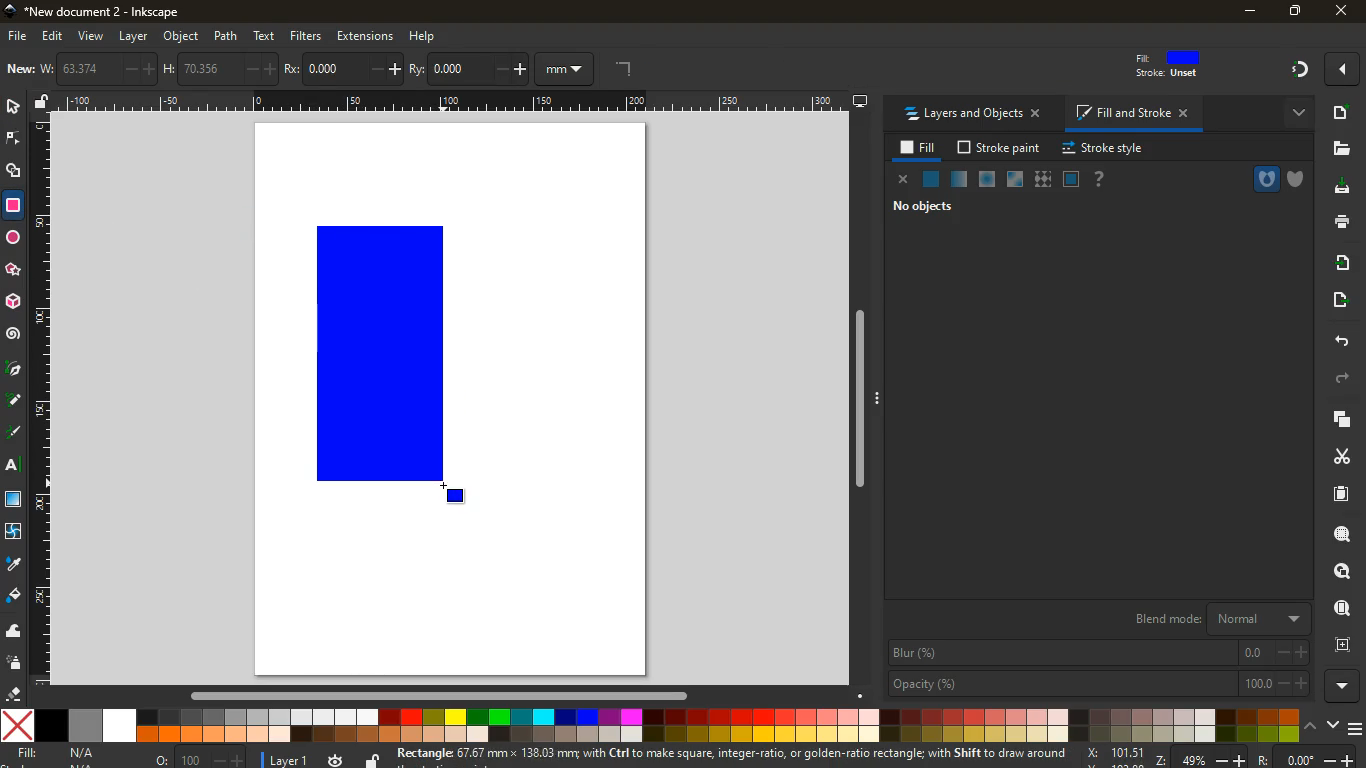  What do you see at coordinates (1220, 756) in the screenshot?
I see `zoom` at bounding box center [1220, 756].